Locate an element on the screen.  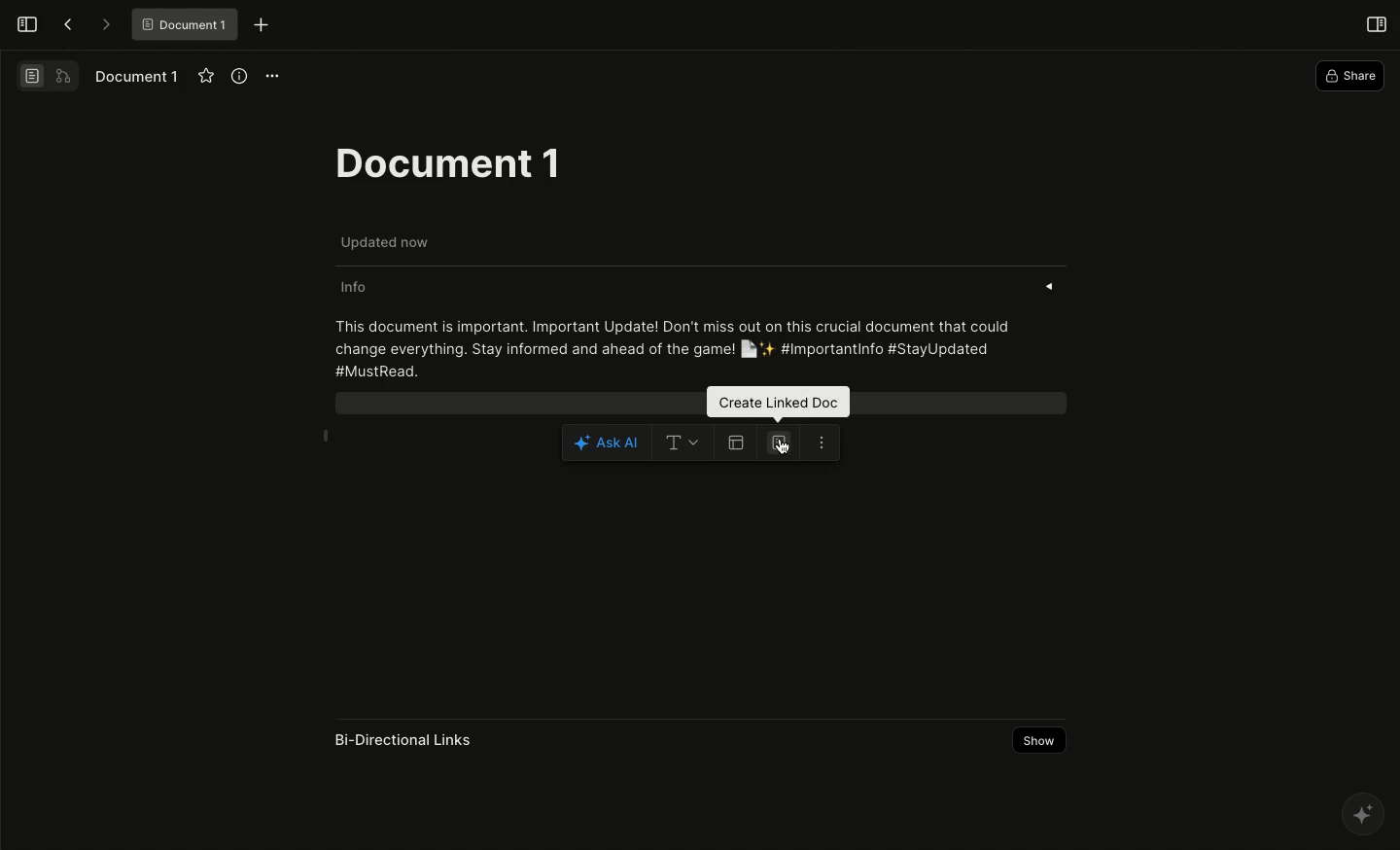
Ask AI is located at coordinates (604, 443).